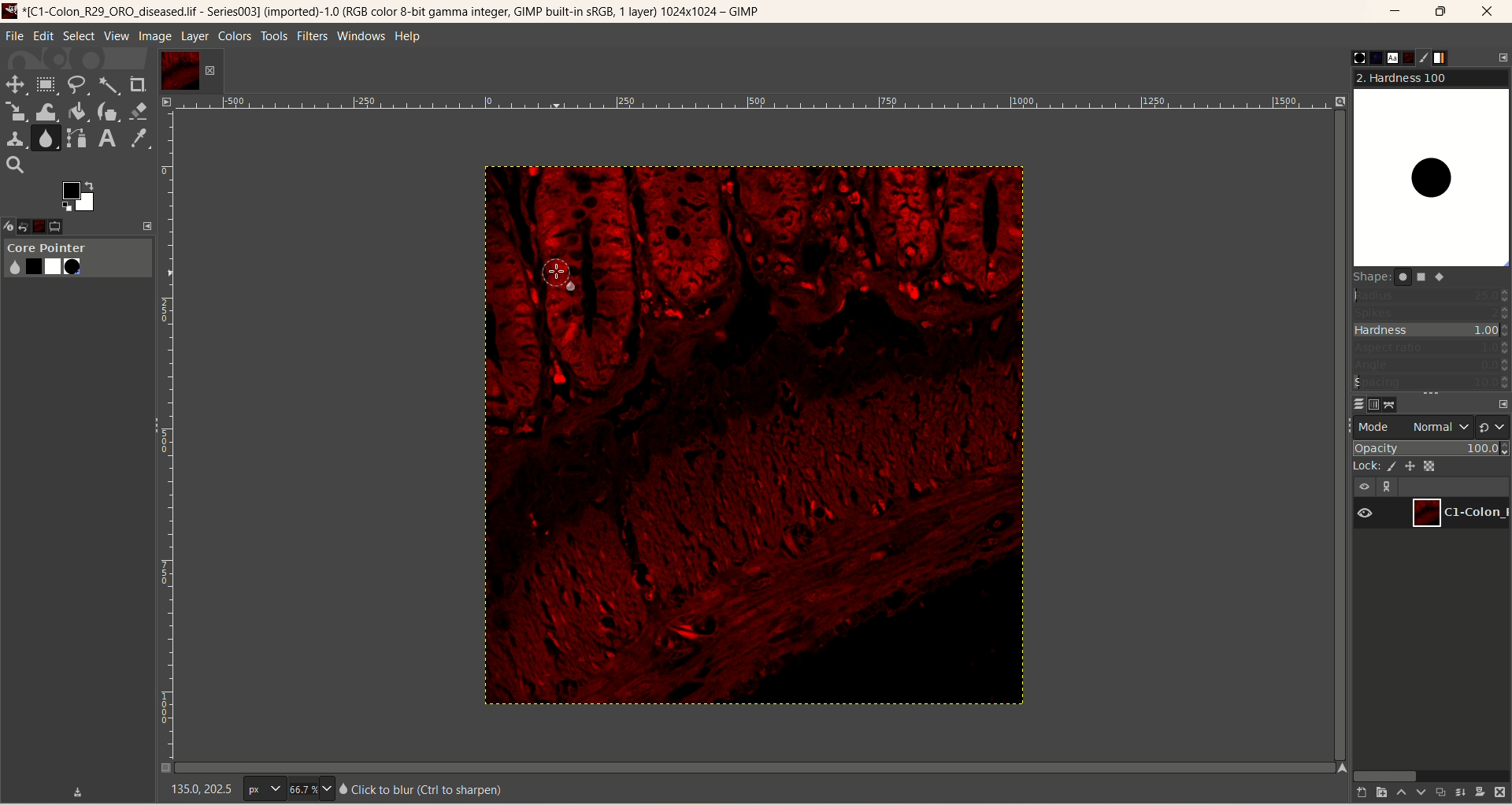 This screenshot has width=1512, height=805. Describe the element at coordinates (1436, 427) in the screenshot. I see `normal` at that location.